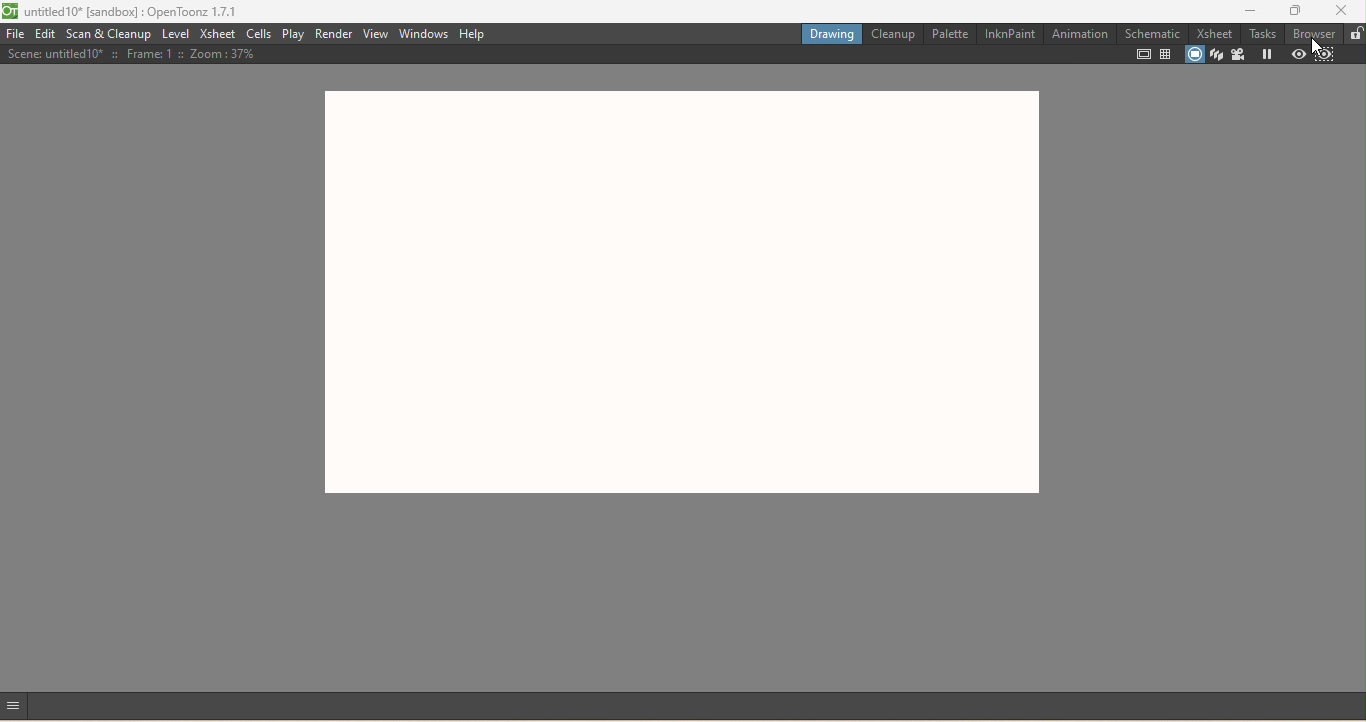 The height and width of the screenshot is (722, 1366). Describe the element at coordinates (890, 35) in the screenshot. I see `Cleanup` at that location.